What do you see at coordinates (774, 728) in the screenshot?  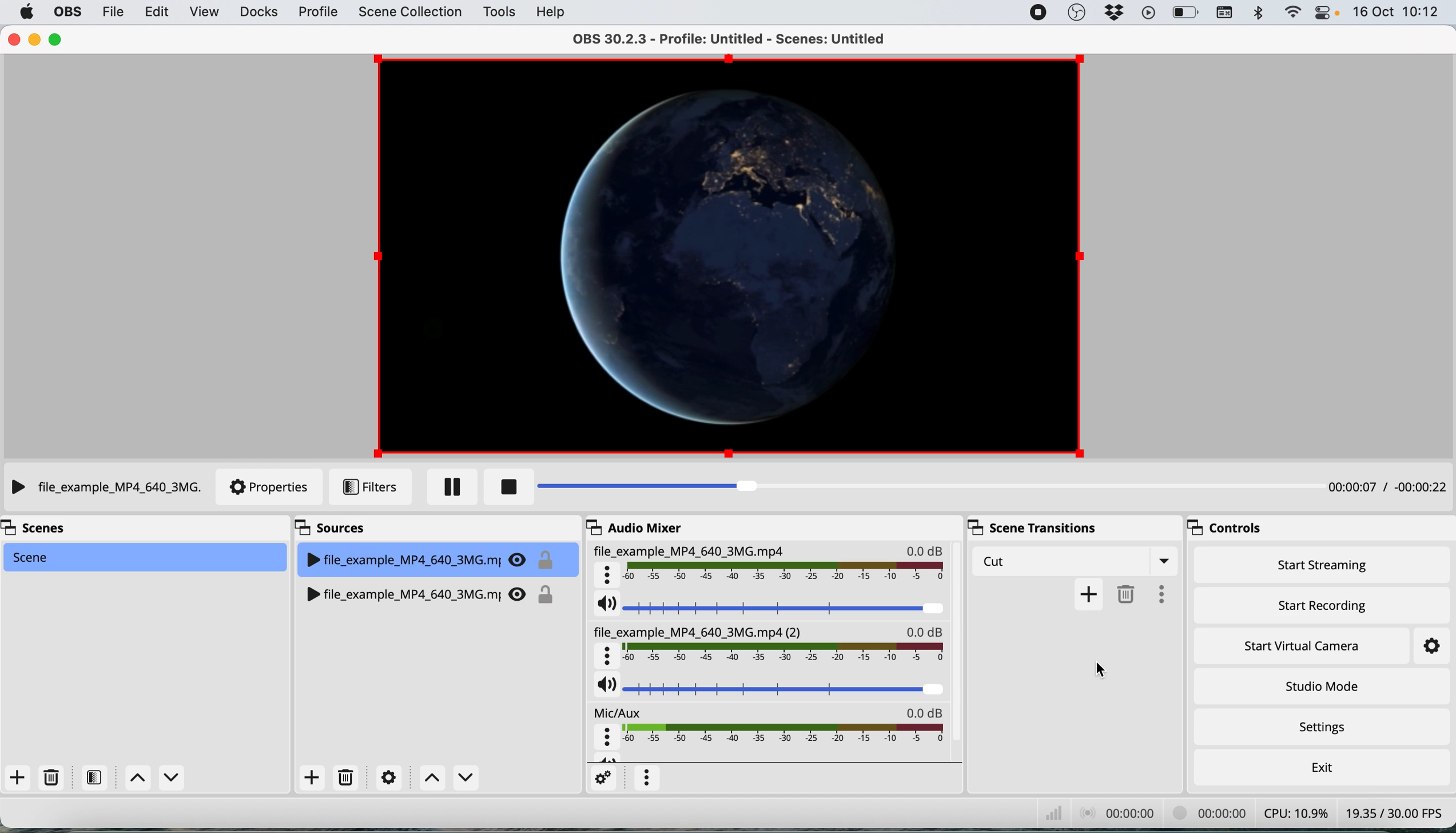 I see `mic aux audio` at bounding box center [774, 728].